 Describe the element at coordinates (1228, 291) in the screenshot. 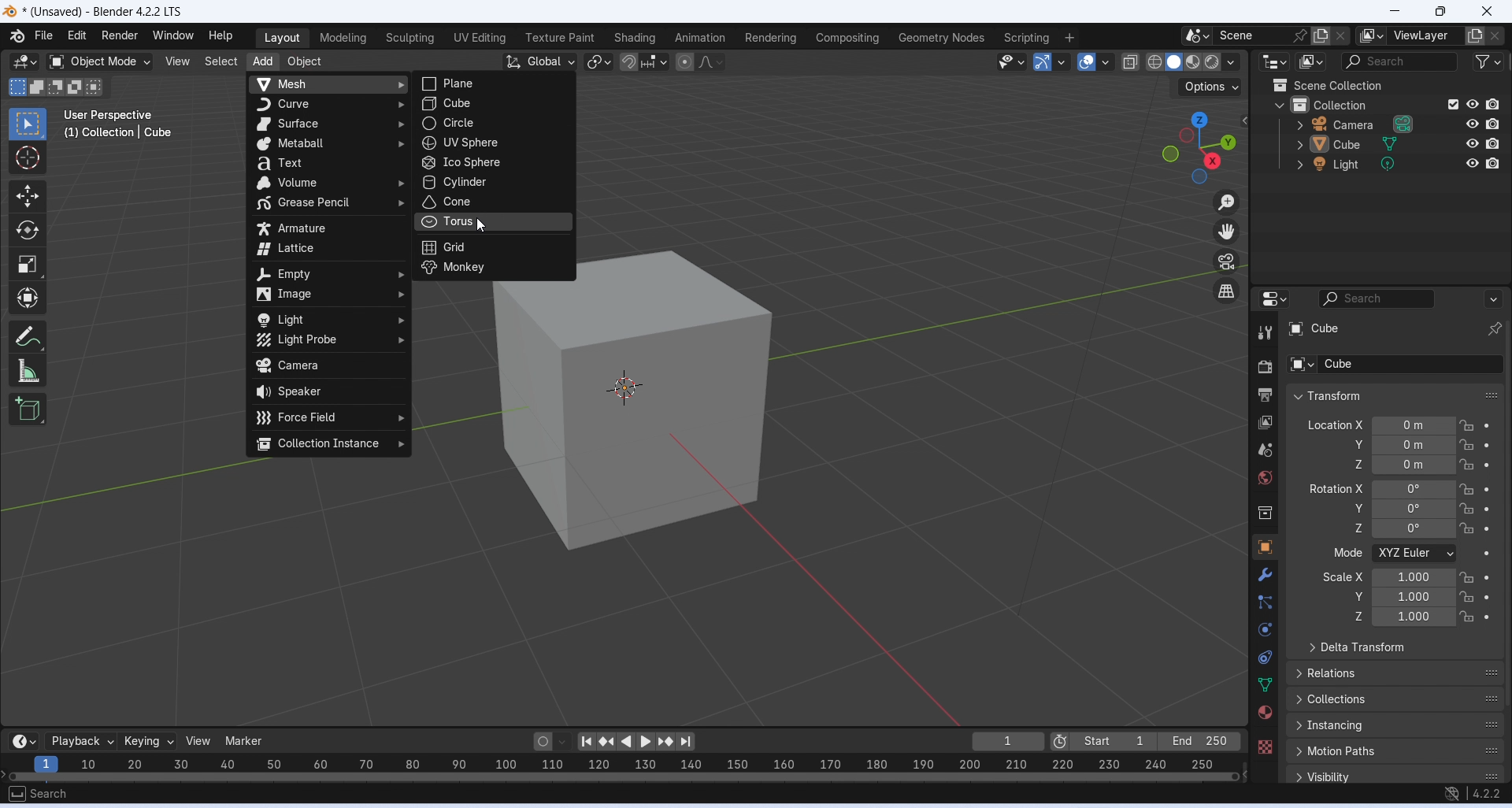

I see `Switch the current view` at that location.